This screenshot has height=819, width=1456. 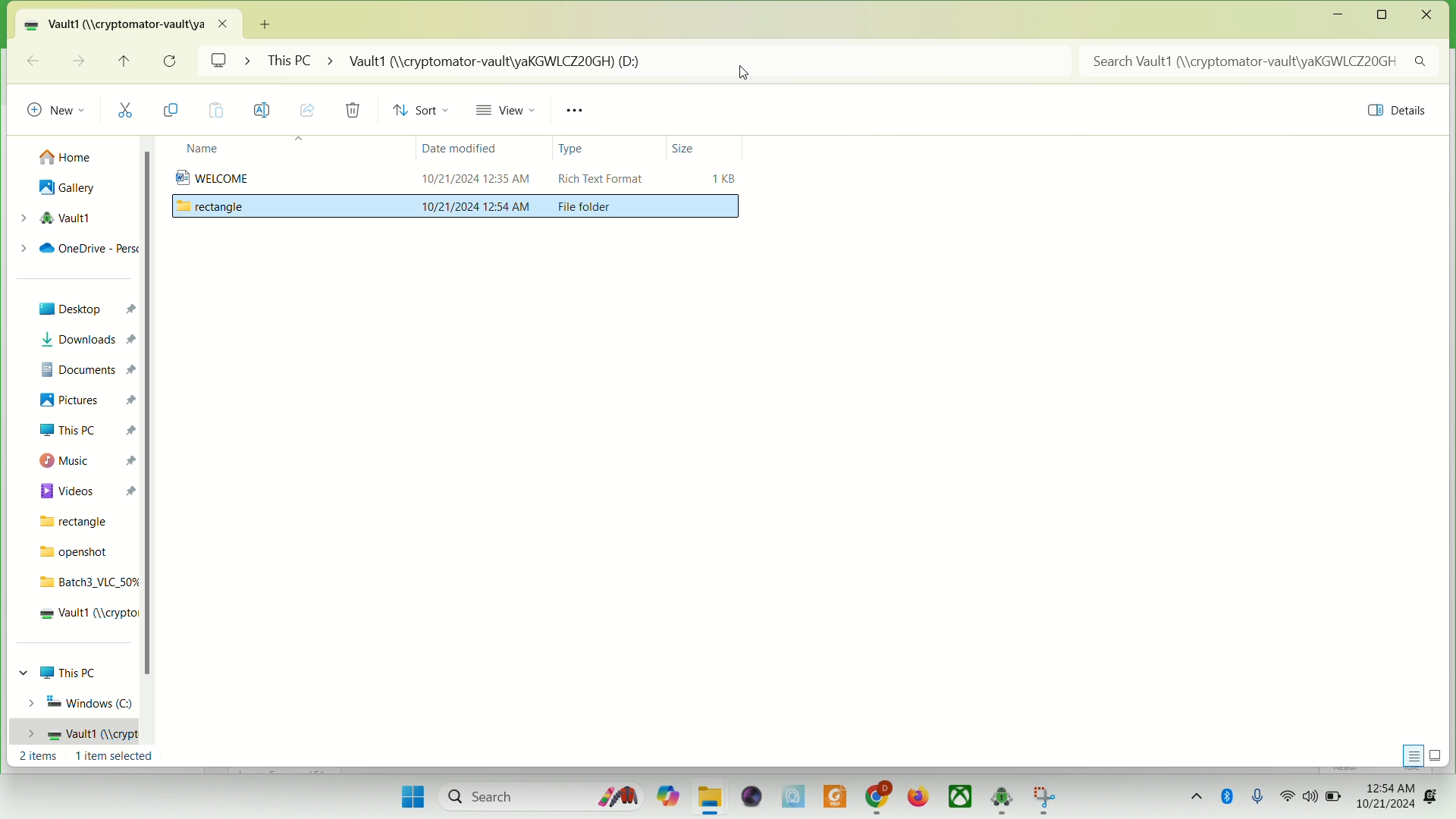 I want to click on openshot, so click(x=76, y=551).